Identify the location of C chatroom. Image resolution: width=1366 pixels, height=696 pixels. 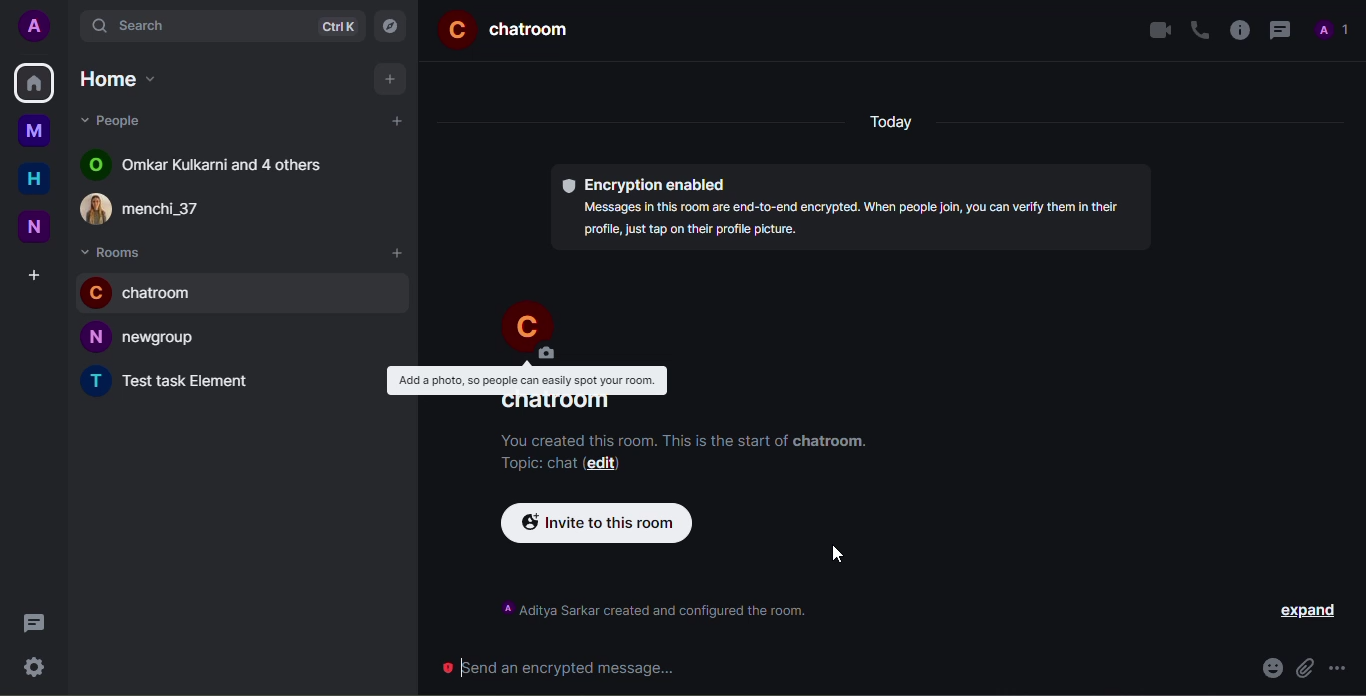
(165, 295).